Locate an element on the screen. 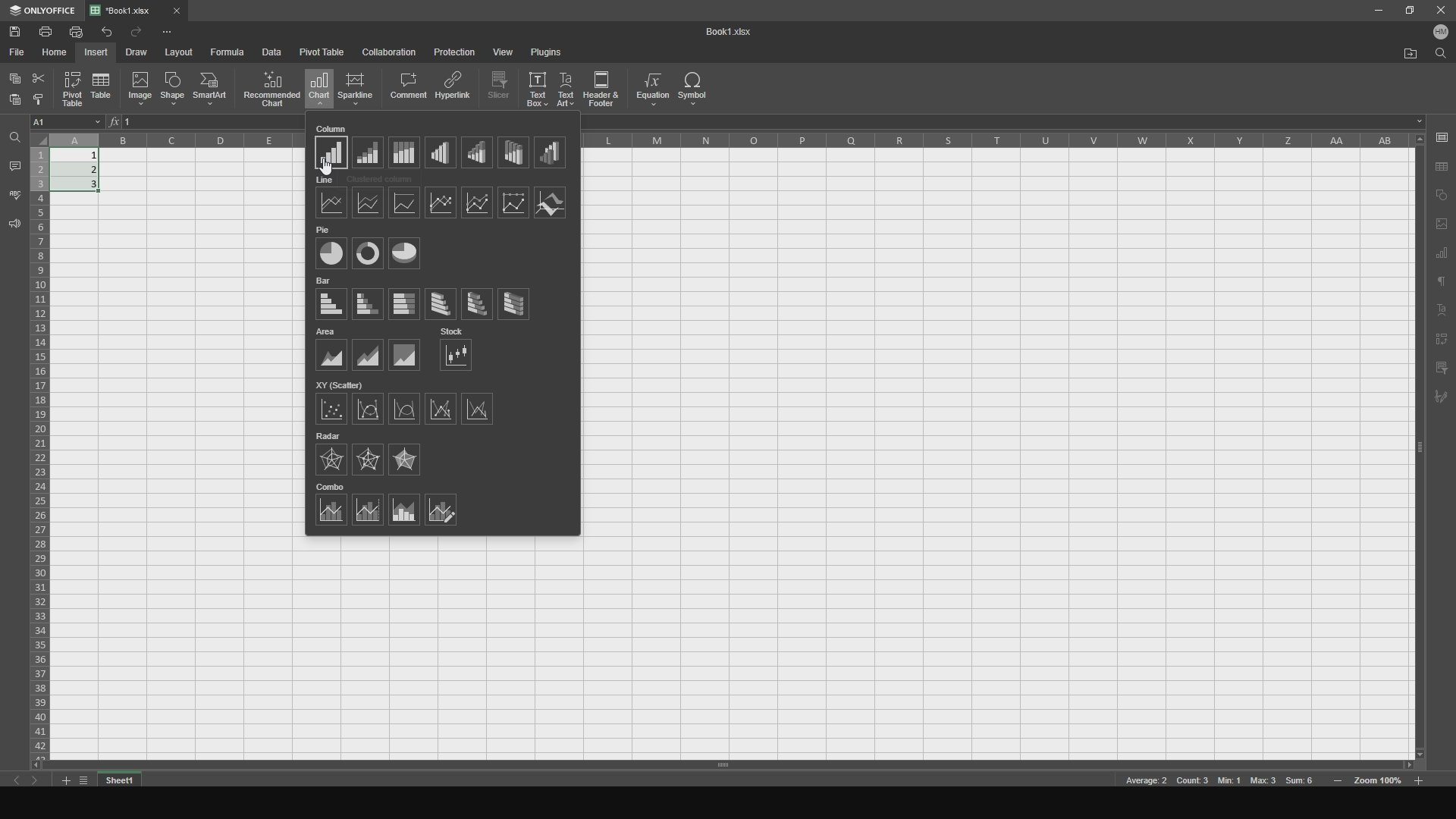  zoom is located at coordinates (1379, 783).